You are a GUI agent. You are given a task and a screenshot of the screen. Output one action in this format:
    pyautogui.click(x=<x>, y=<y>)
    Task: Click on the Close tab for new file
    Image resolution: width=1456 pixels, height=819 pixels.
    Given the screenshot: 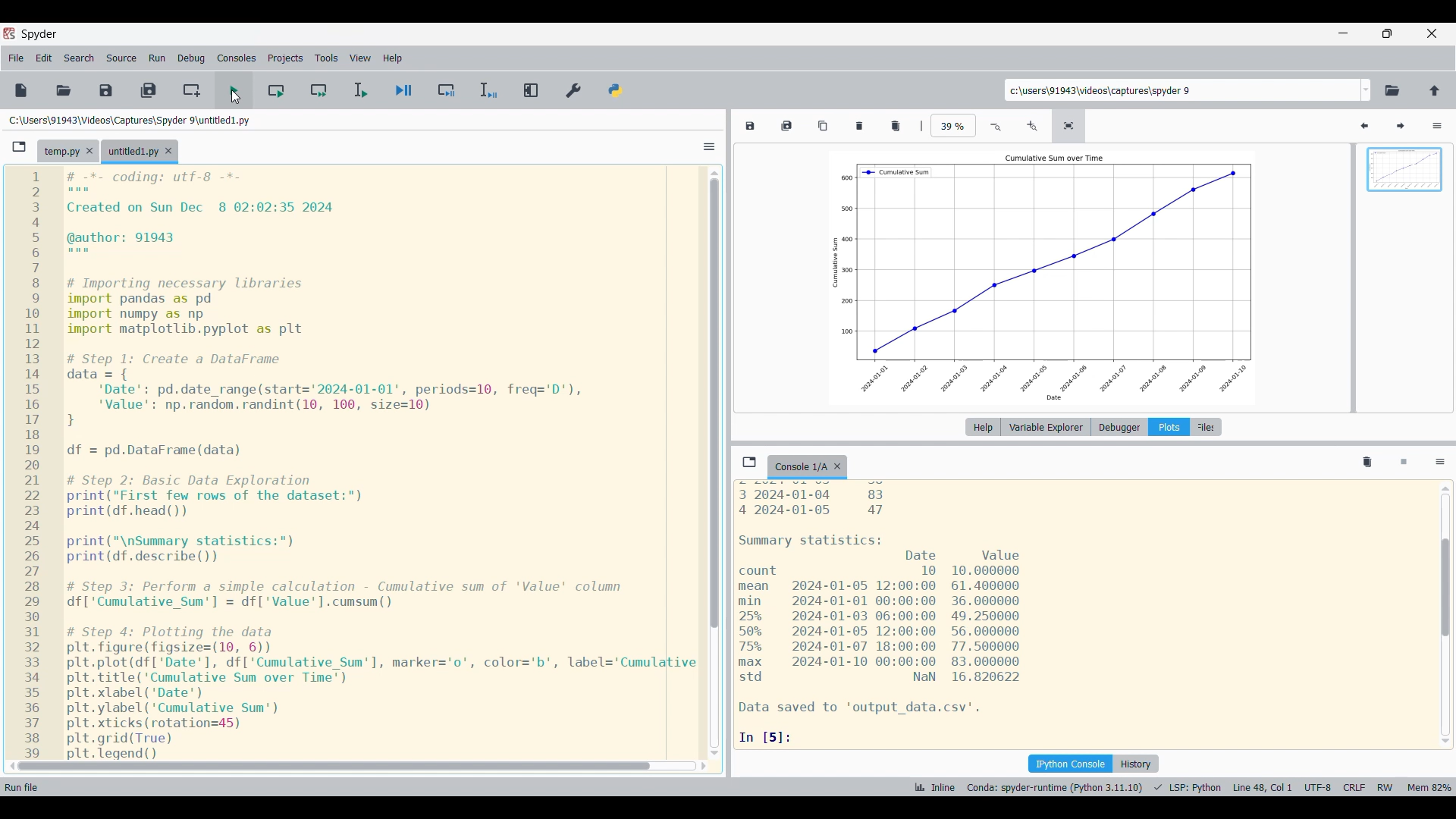 What is the action you would take?
    pyautogui.click(x=168, y=151)
    